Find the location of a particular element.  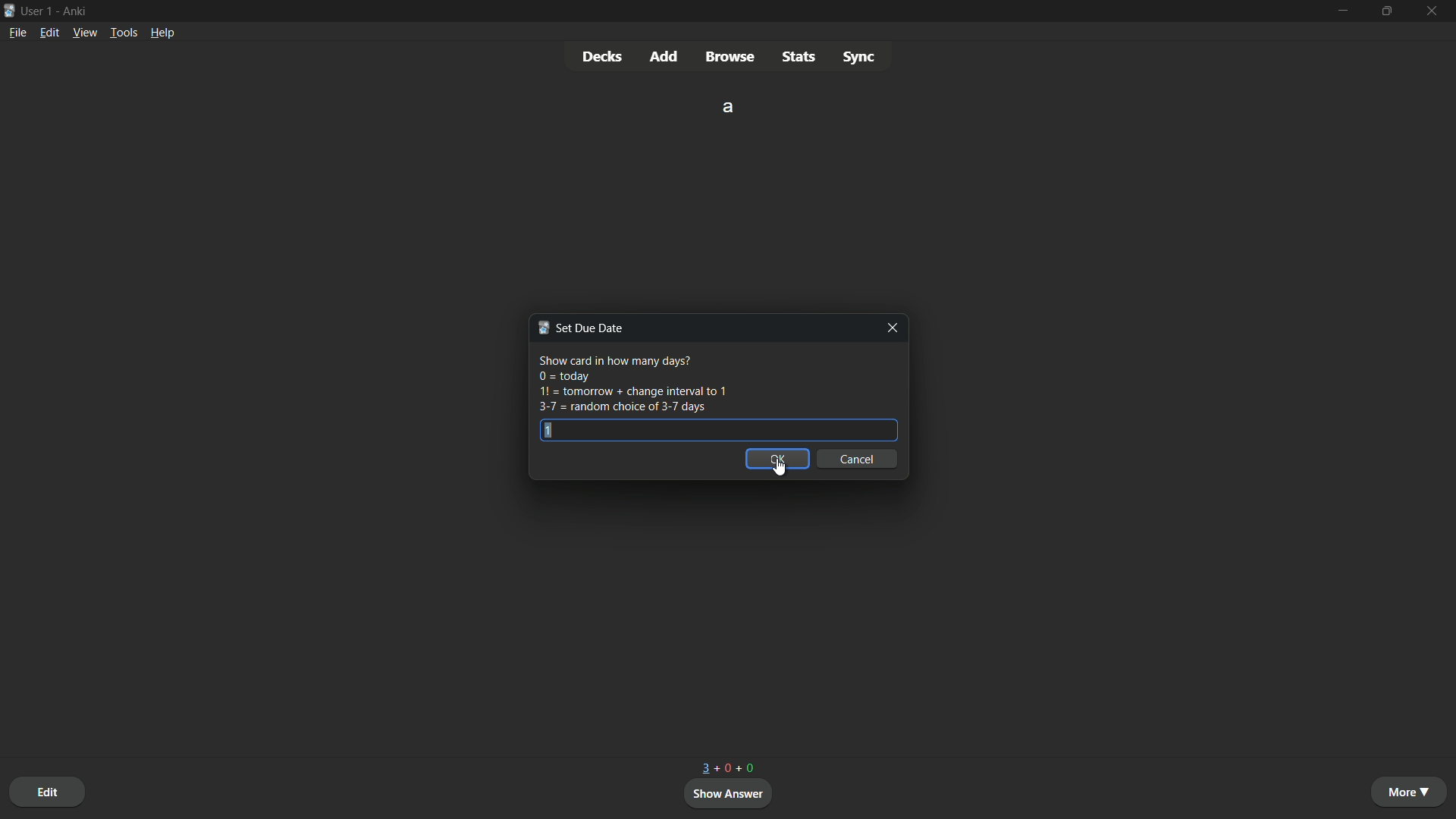

file menu is located at coordinates (17, 33).